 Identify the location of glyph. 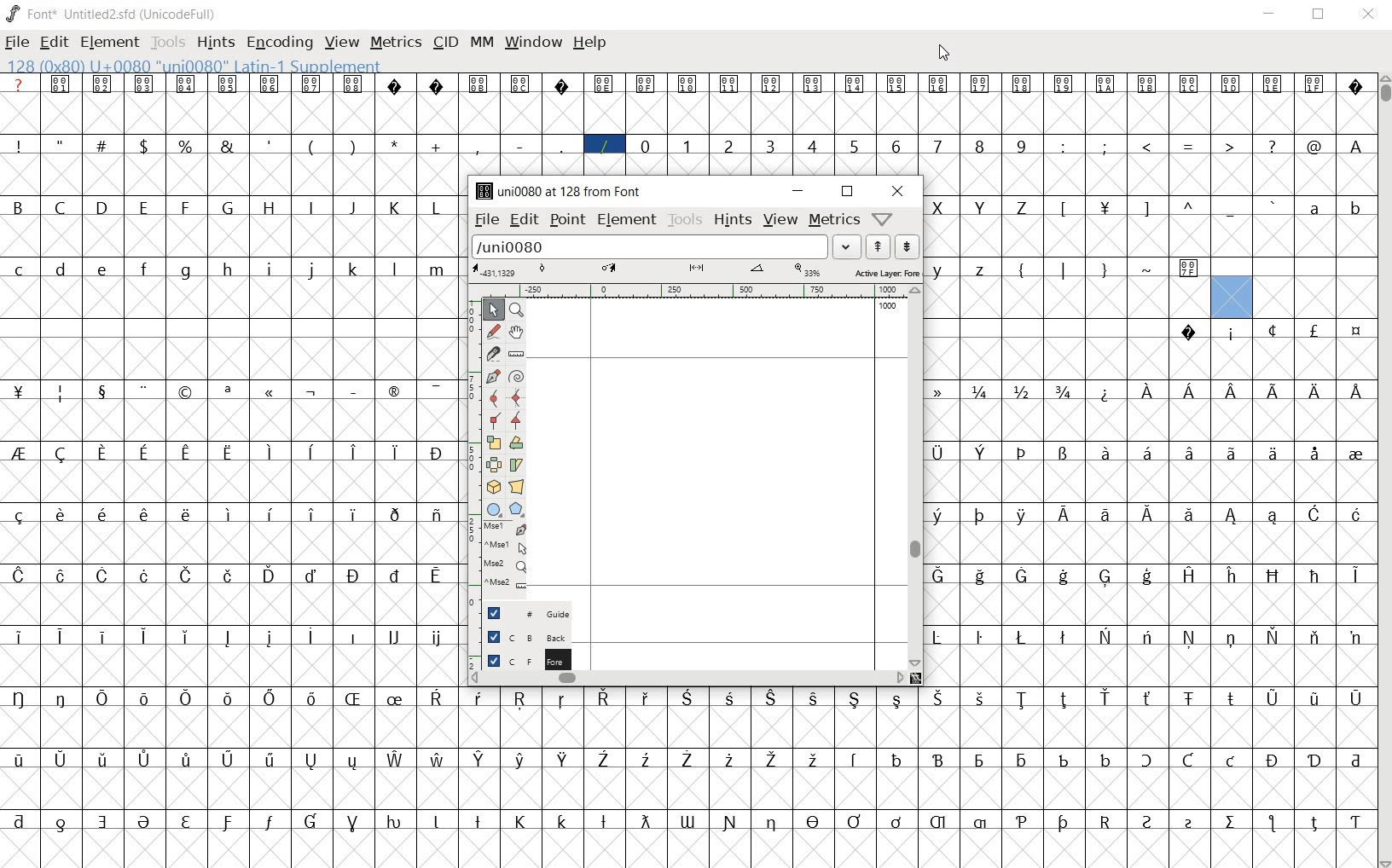
(103, 514).